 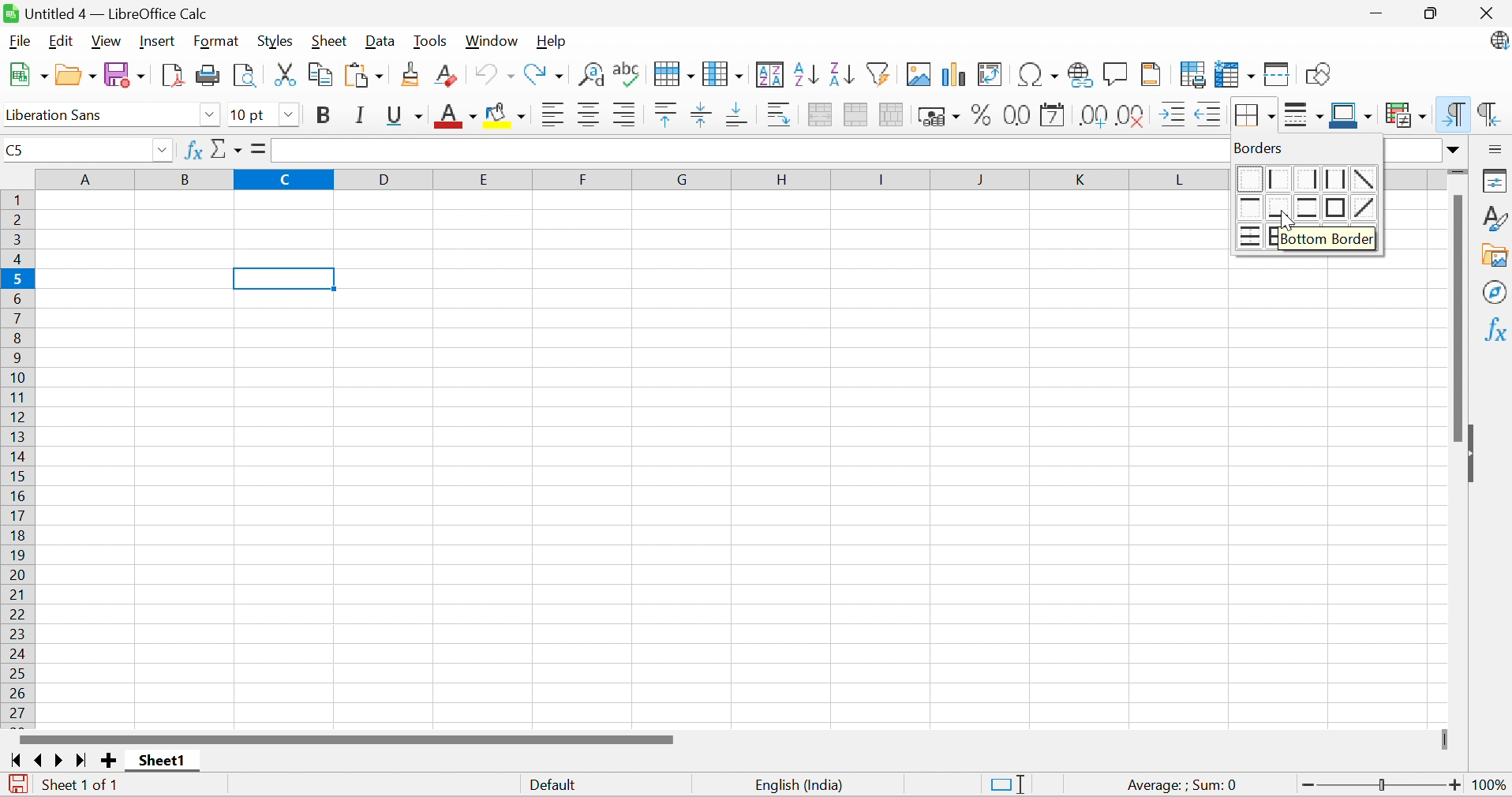 I want to click on Borders, so click(x=1249, y=118).